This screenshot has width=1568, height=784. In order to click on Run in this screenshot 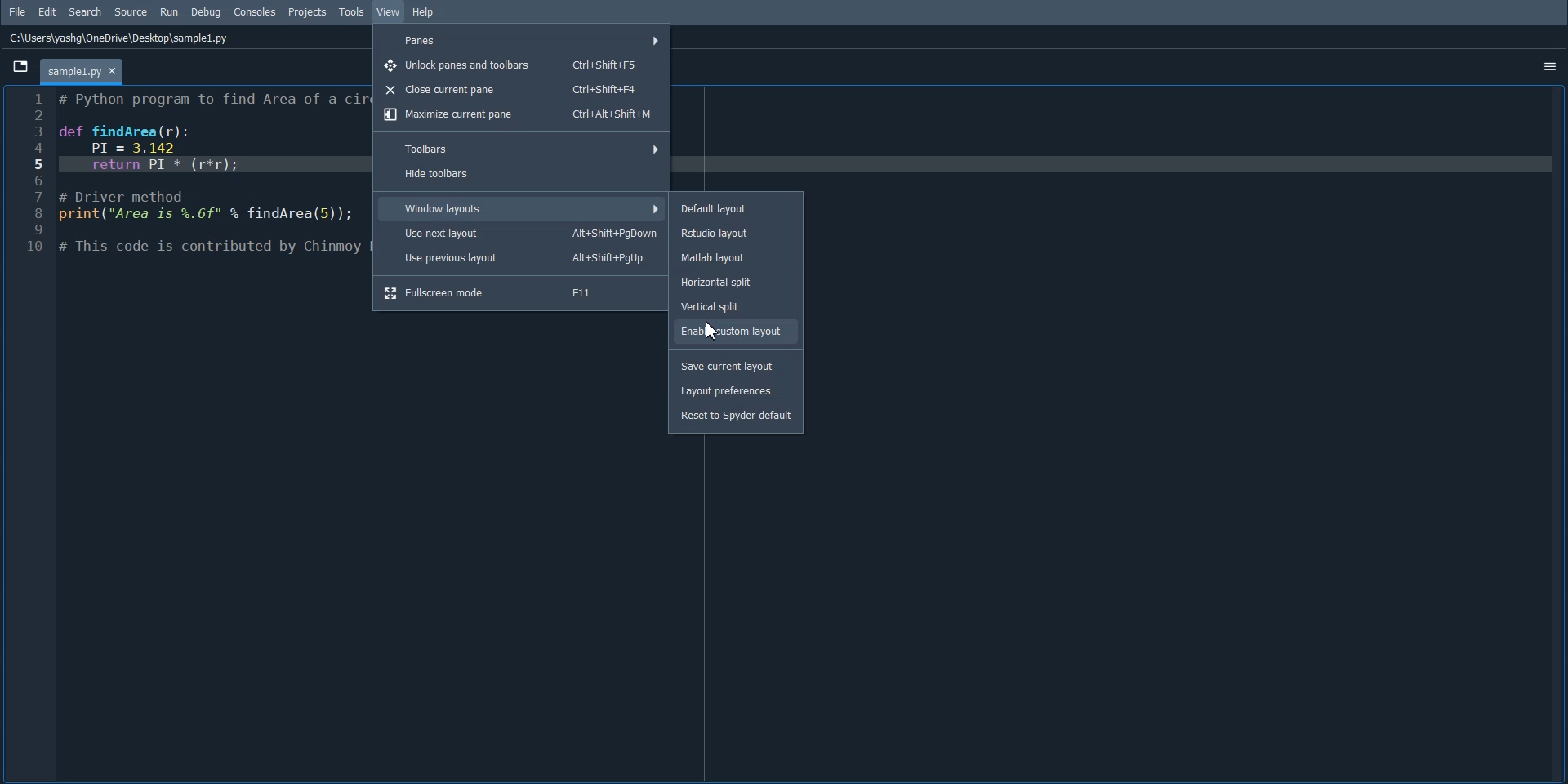, I will do `click(169, 11)`.